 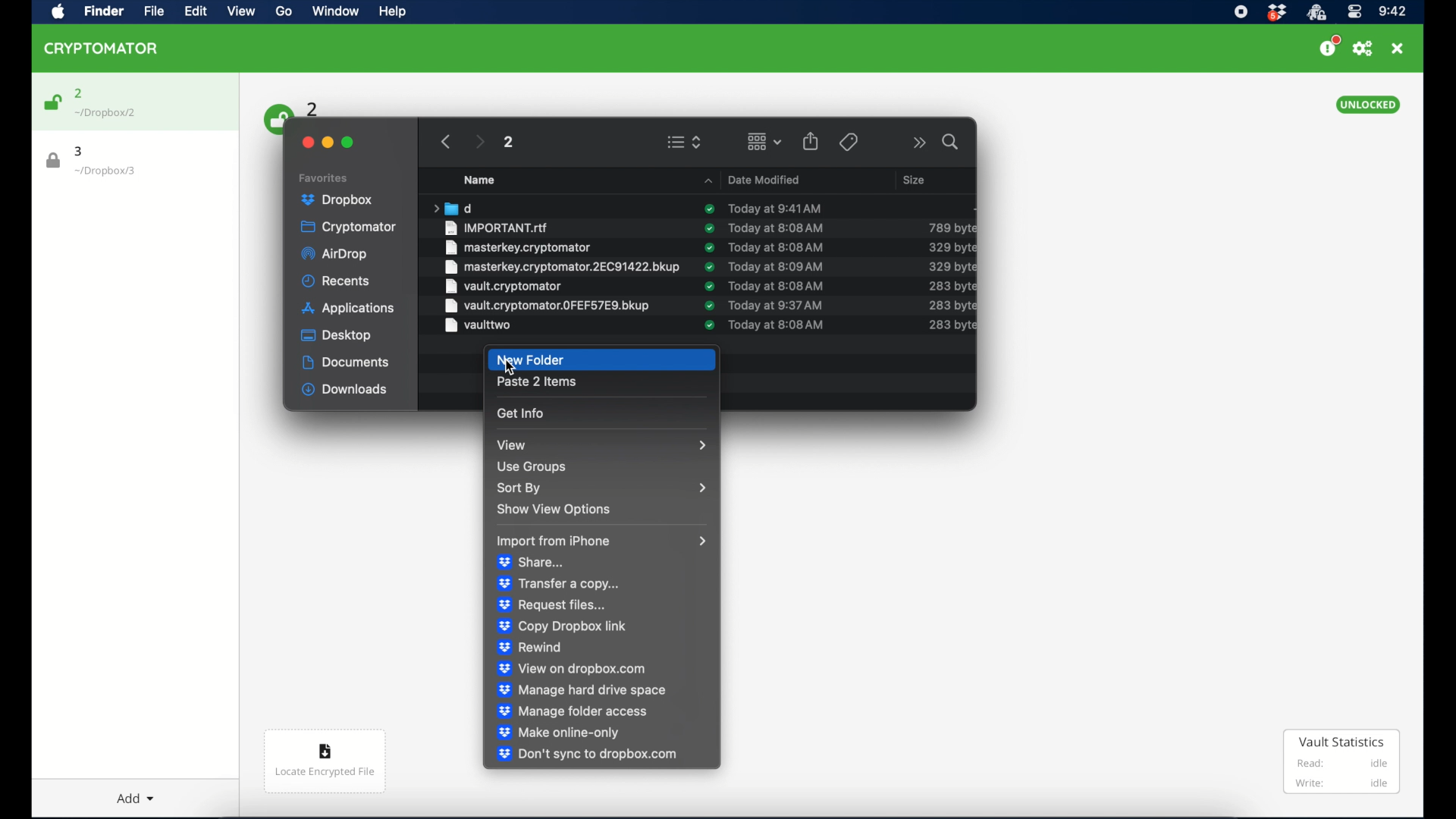 I want to click on finder, so click(x=102, y=11).